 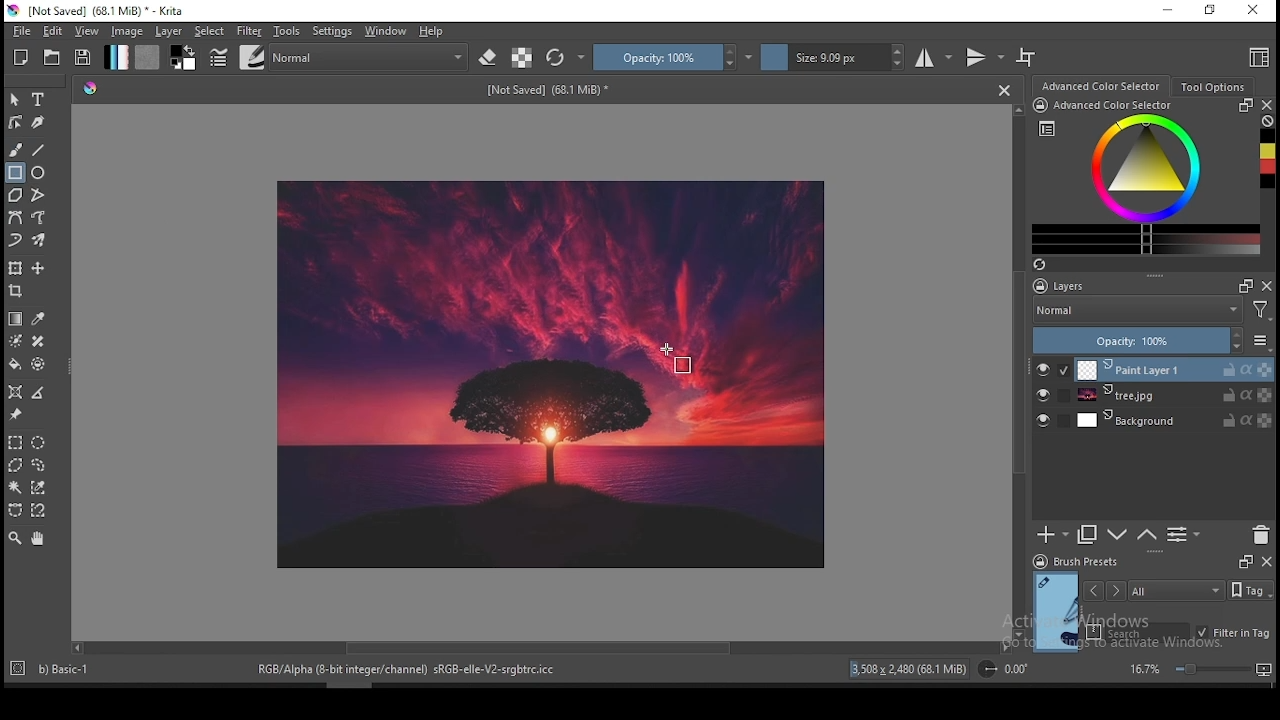 What do you see at coordinates (1075, 561) in the screenshot?
I see `brush preset` at bounding box center [1075, 561].